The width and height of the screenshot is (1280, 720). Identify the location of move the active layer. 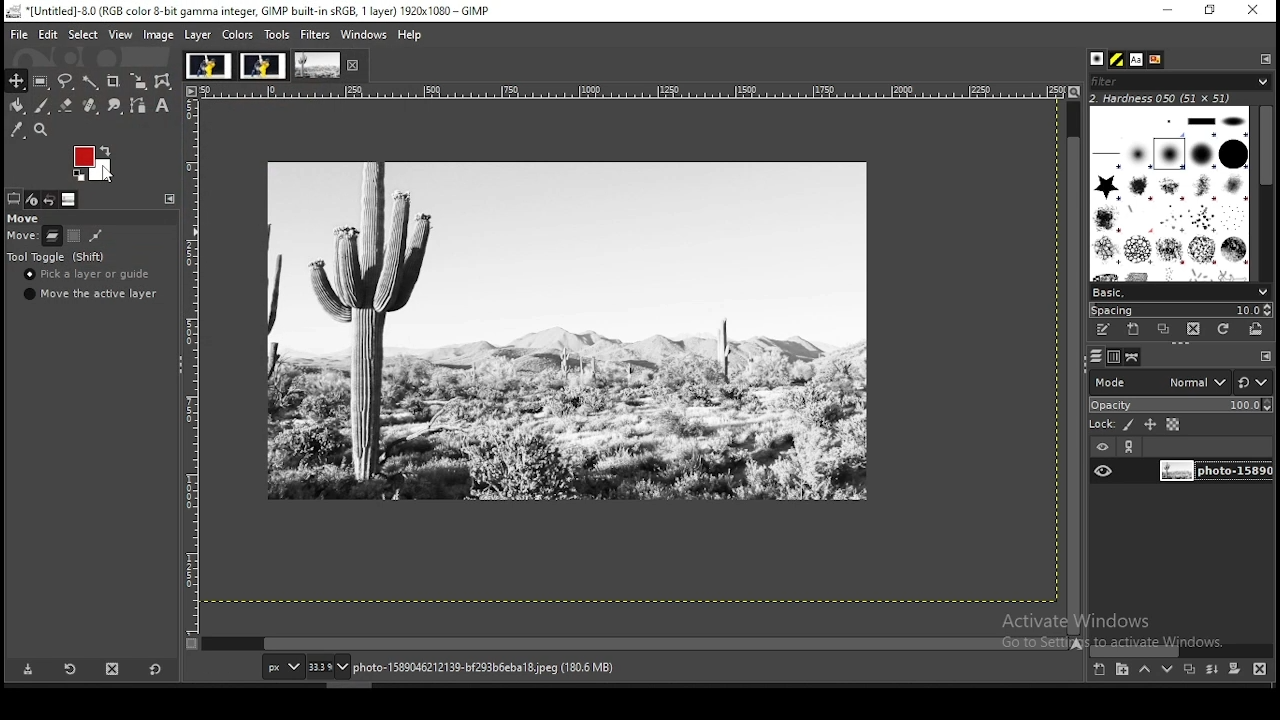
(94, 293).